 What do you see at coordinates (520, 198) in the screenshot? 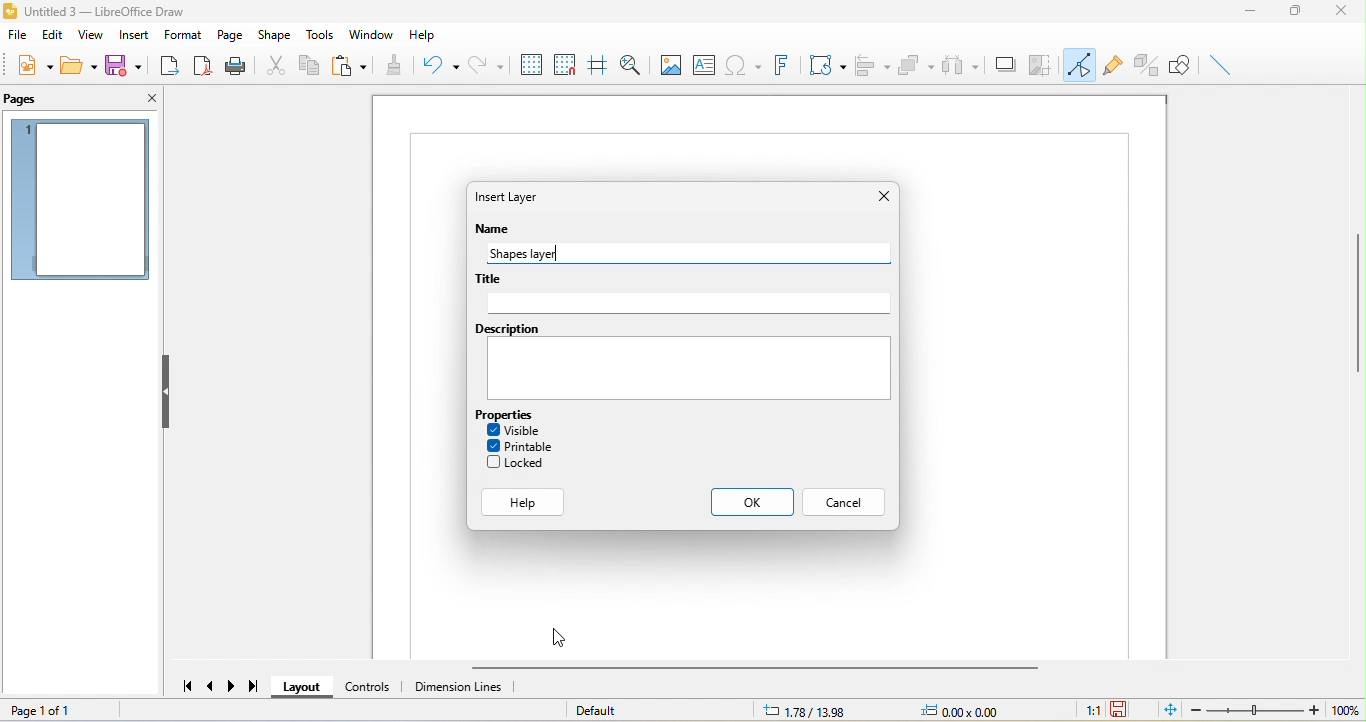
I see `insert layer` at bounding box center [520, 198].